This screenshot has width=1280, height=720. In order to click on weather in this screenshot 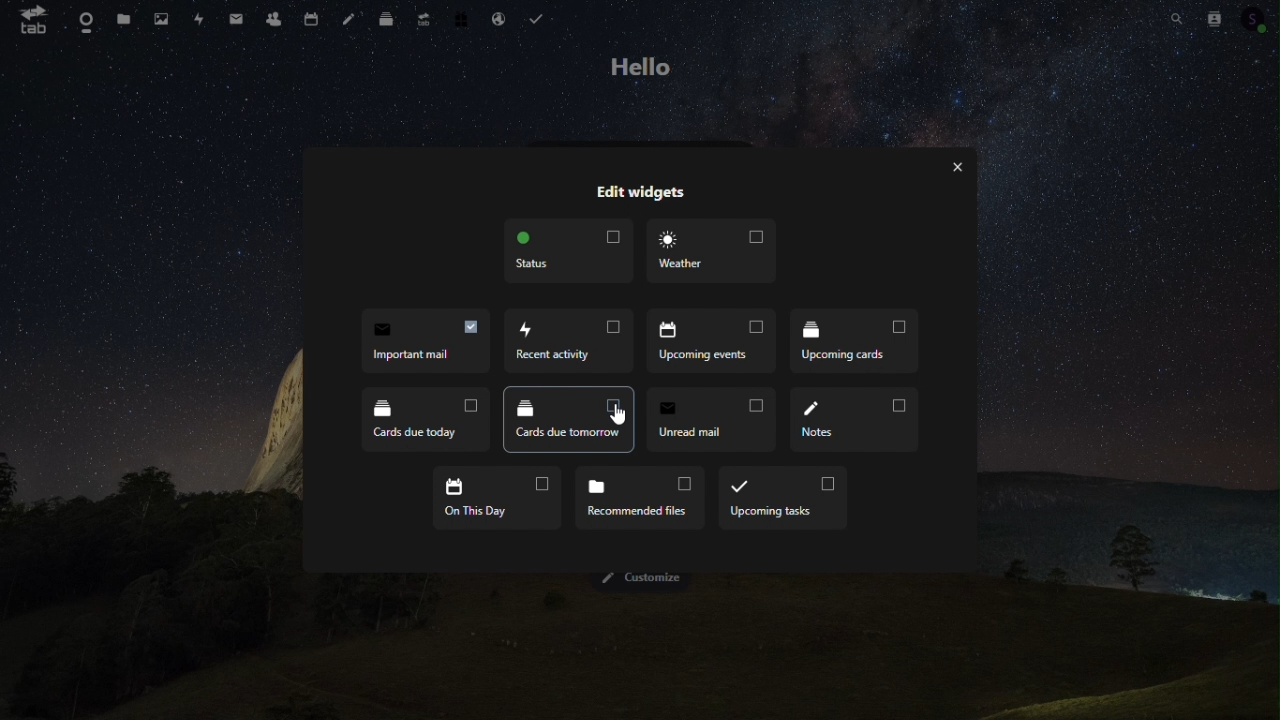, I will do `click(716, 254)`.